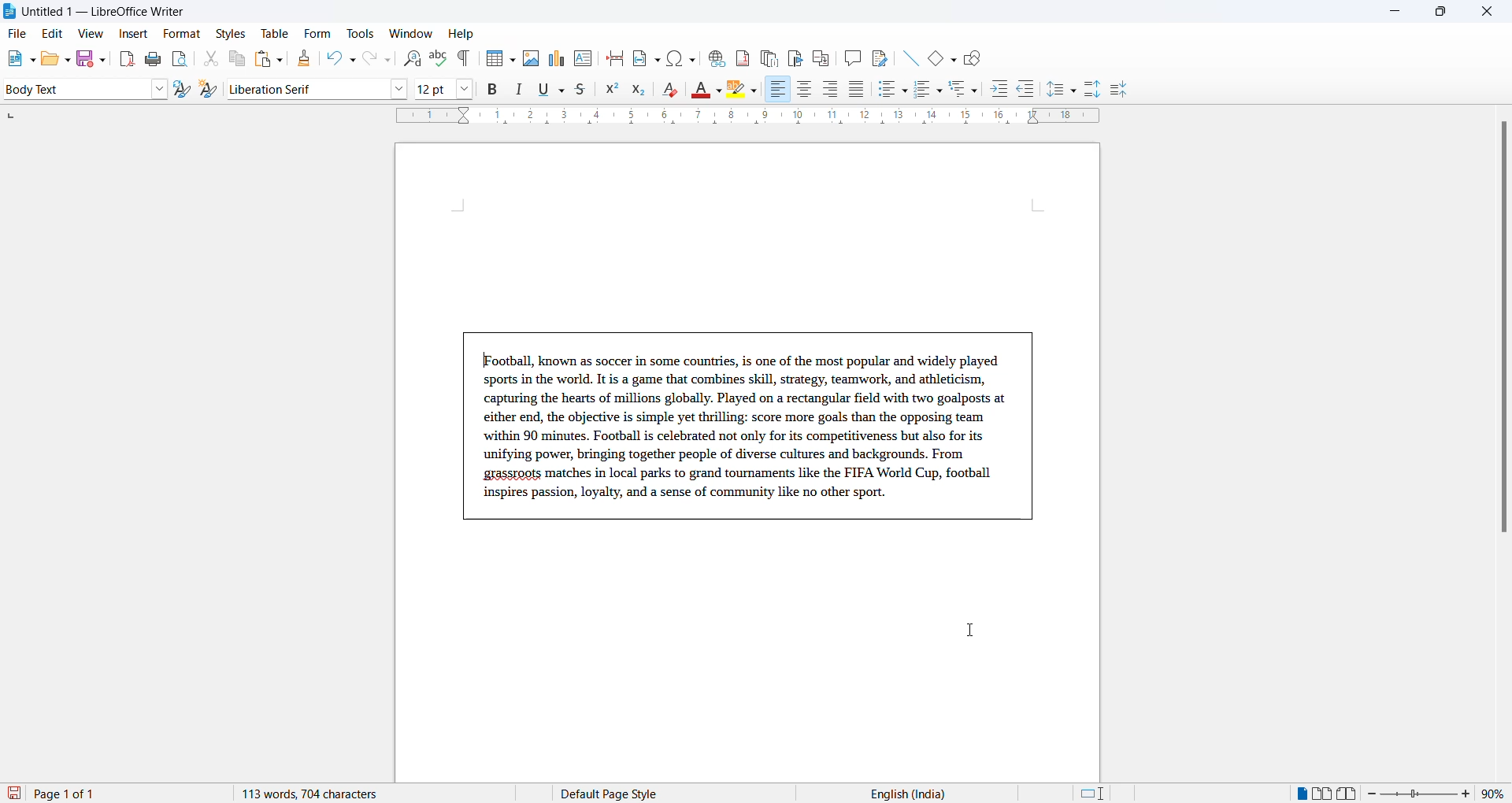 The height and width of the screenshot is (803, 1512). I want to click on increase indent, so click(1004, 90).